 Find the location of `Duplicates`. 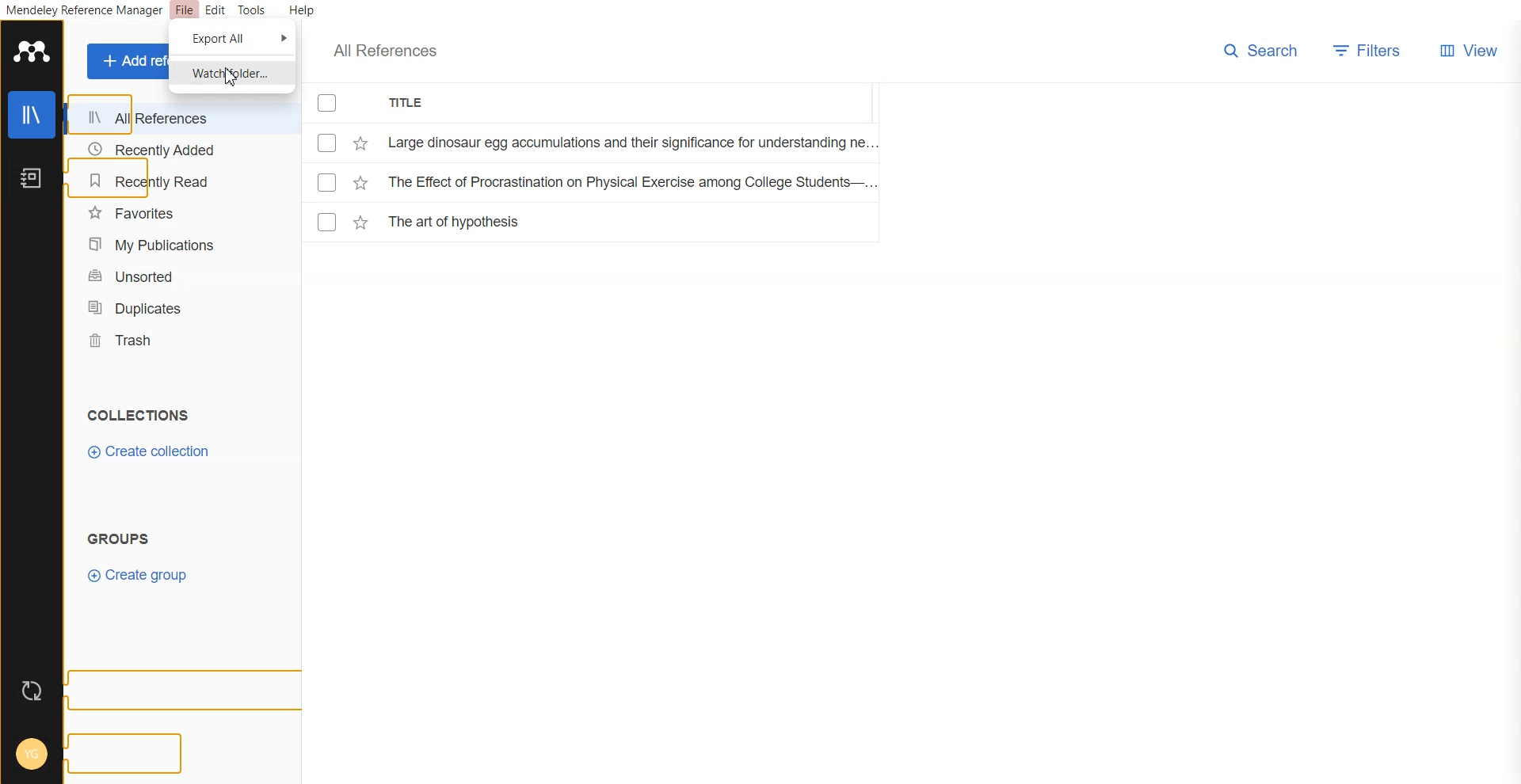

Duplicates is located at coordinates (168, 306).